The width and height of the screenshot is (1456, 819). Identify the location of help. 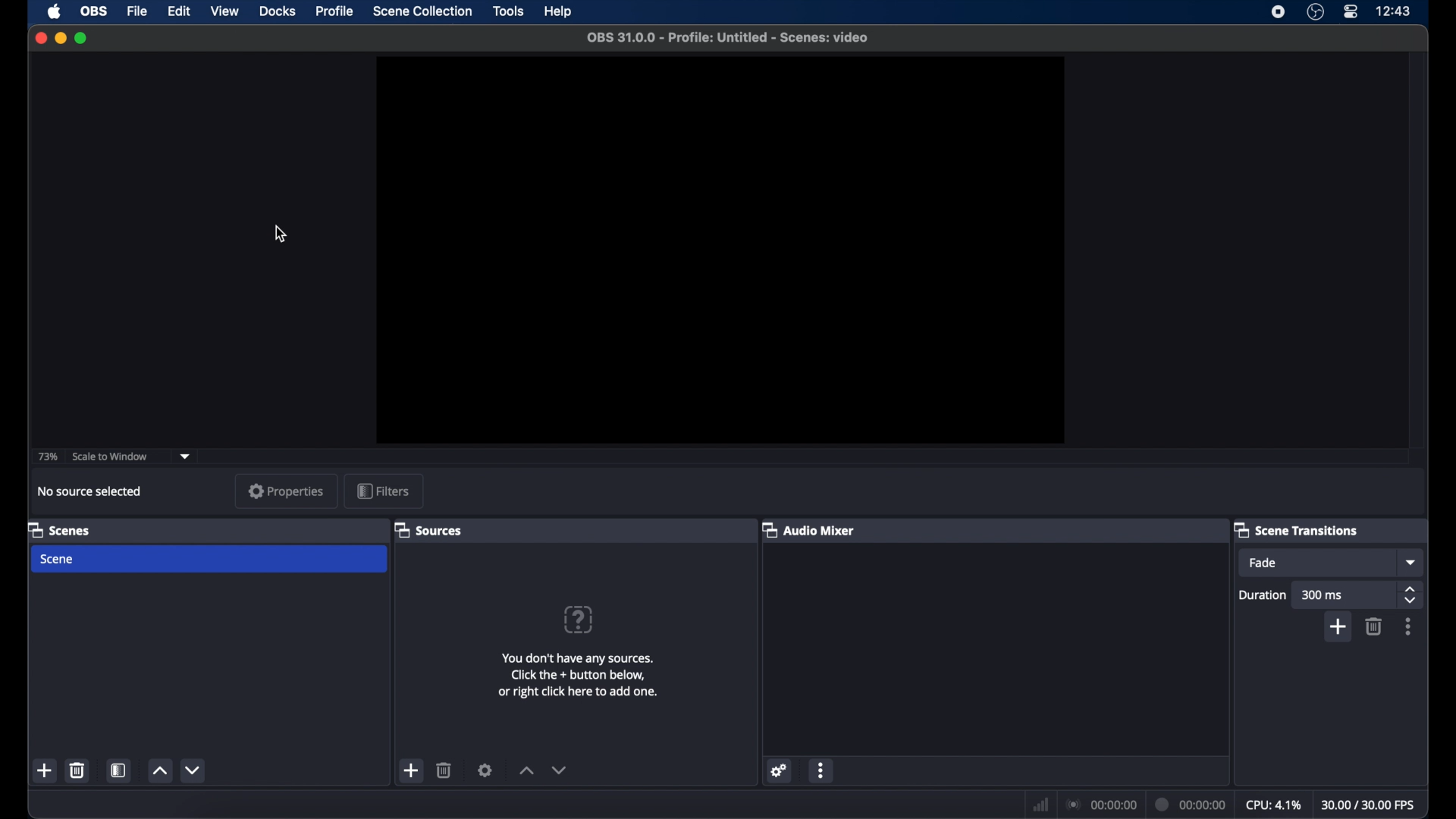
(557, 11).